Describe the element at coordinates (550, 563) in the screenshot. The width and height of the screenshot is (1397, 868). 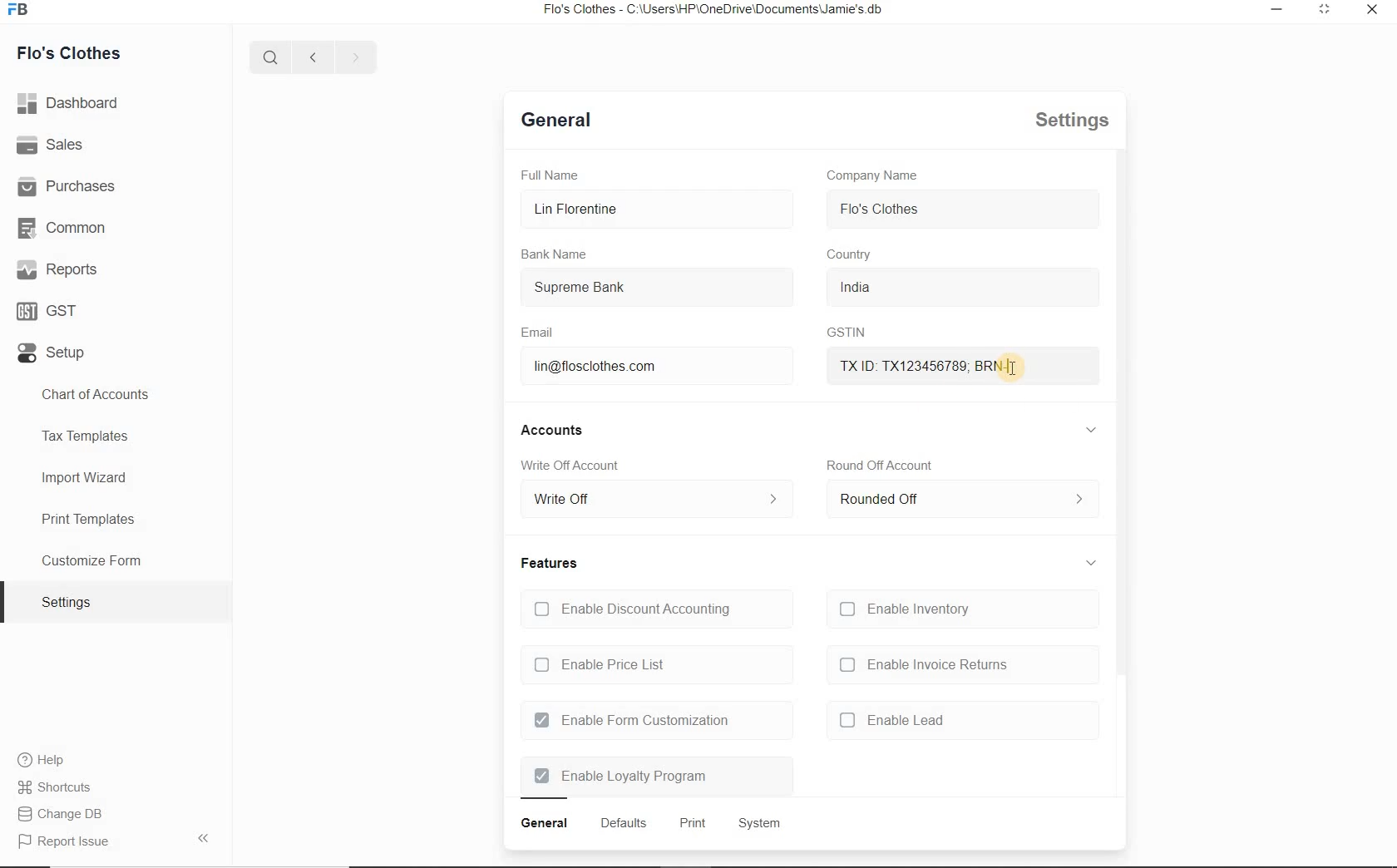
I see `features` at that location.